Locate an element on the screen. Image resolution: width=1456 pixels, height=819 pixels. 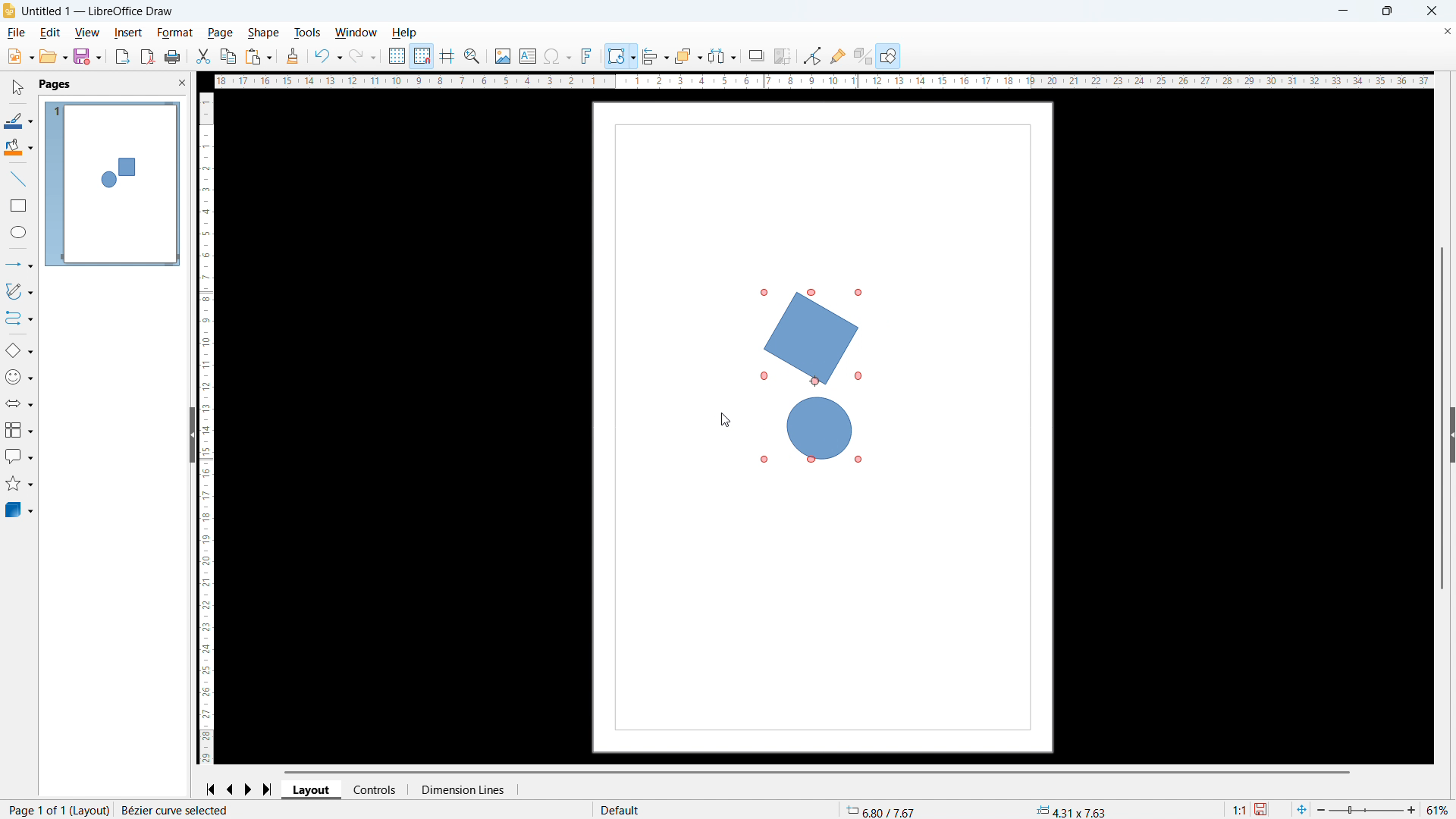
Print  is located at coordinates (173, 56).